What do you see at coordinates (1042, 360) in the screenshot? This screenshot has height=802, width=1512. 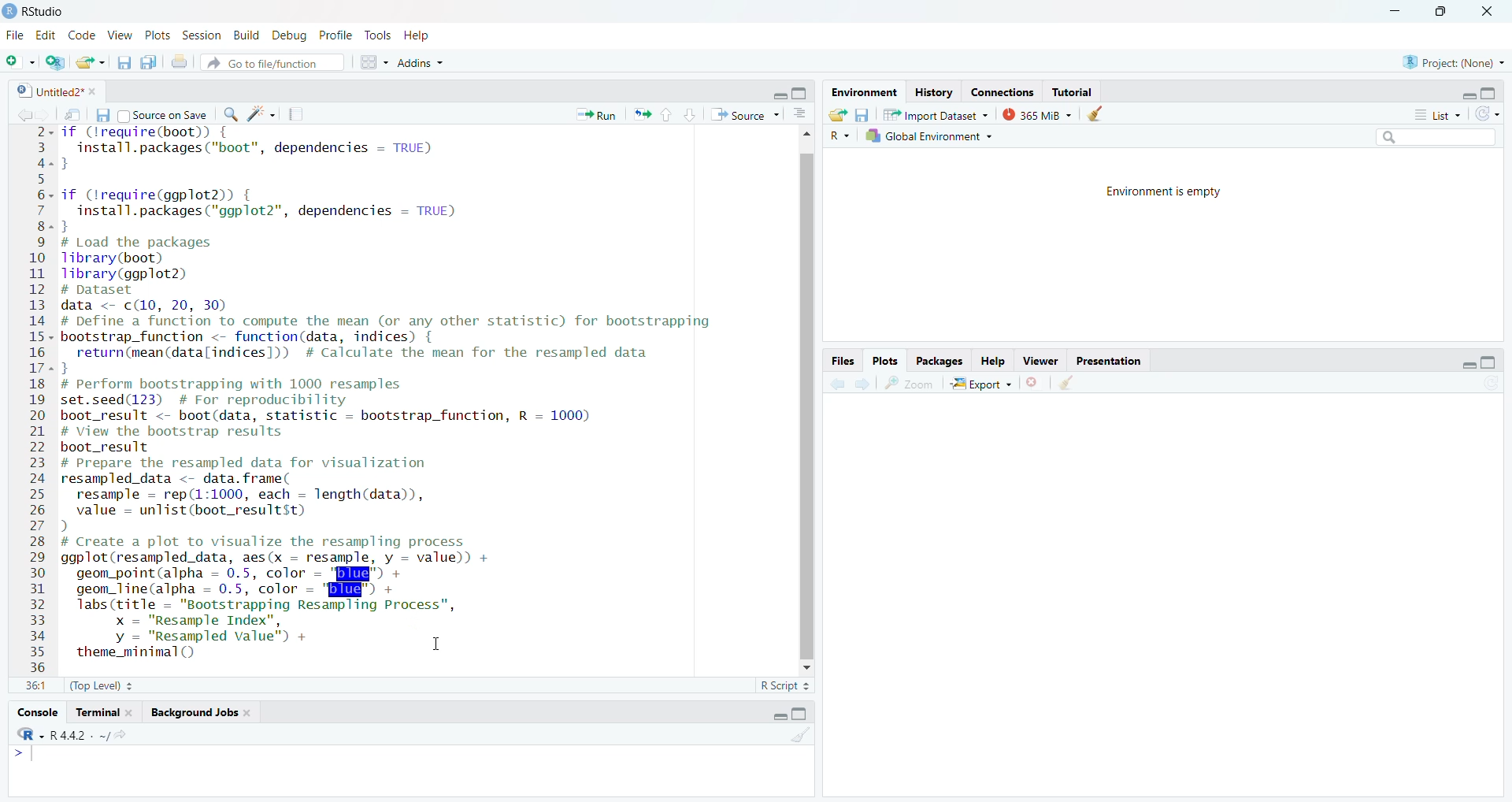 I see `viewer` at bounding box center [1042, 360].